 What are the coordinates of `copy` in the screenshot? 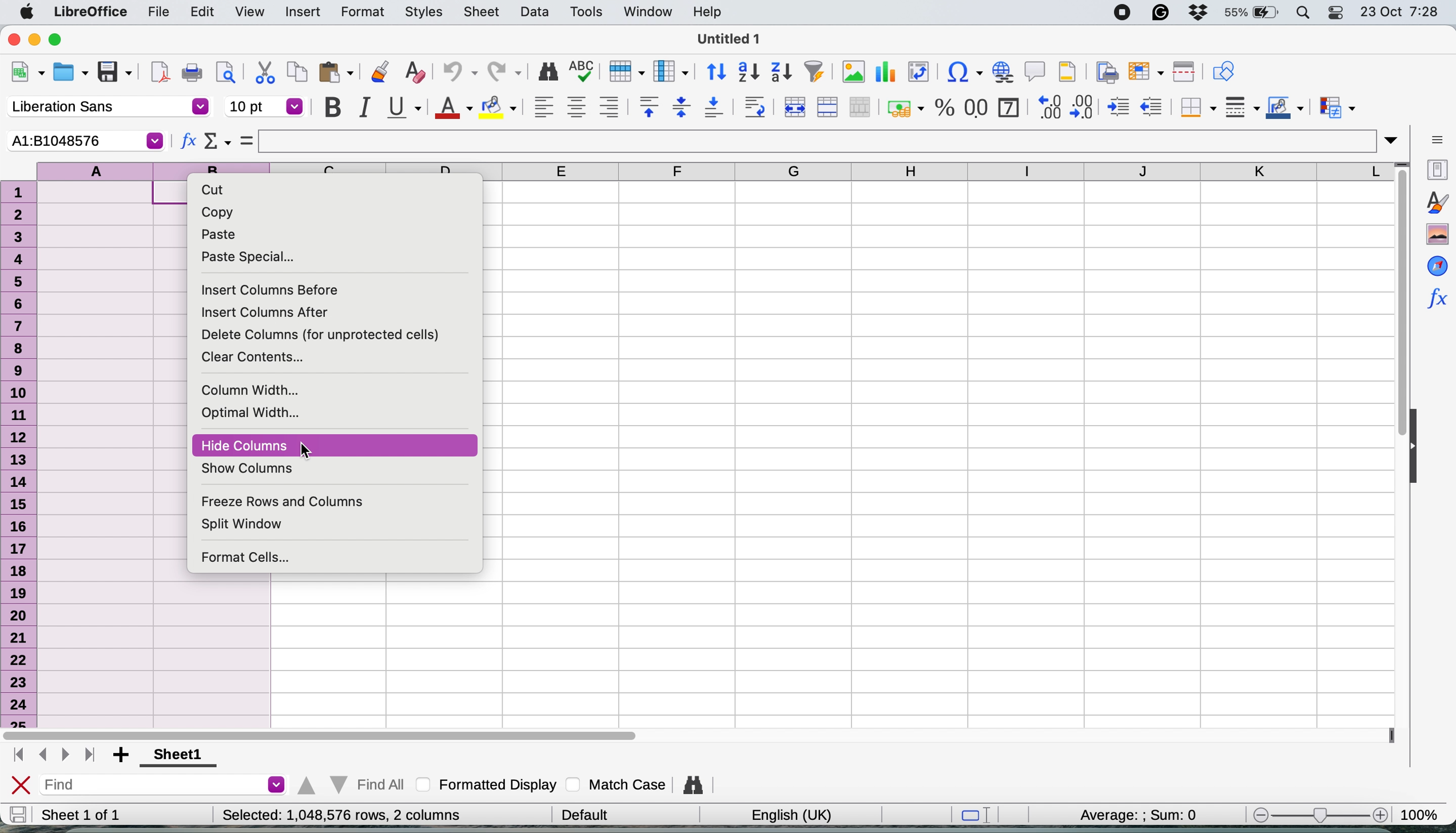 It's located at (297, 74).